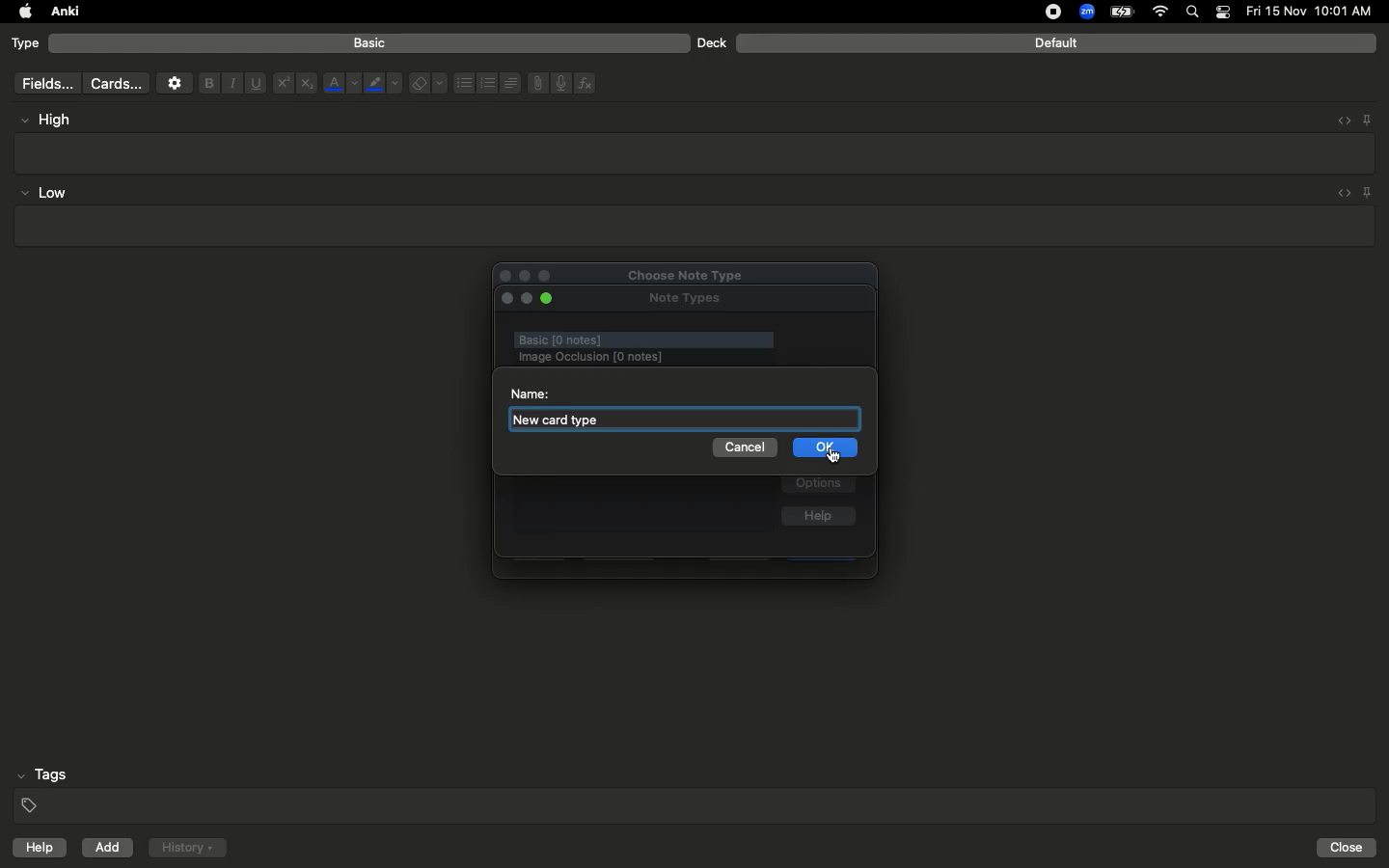 The height and width of the screenshot is (868, 1389). I want to click on Low, so click(44, 194).